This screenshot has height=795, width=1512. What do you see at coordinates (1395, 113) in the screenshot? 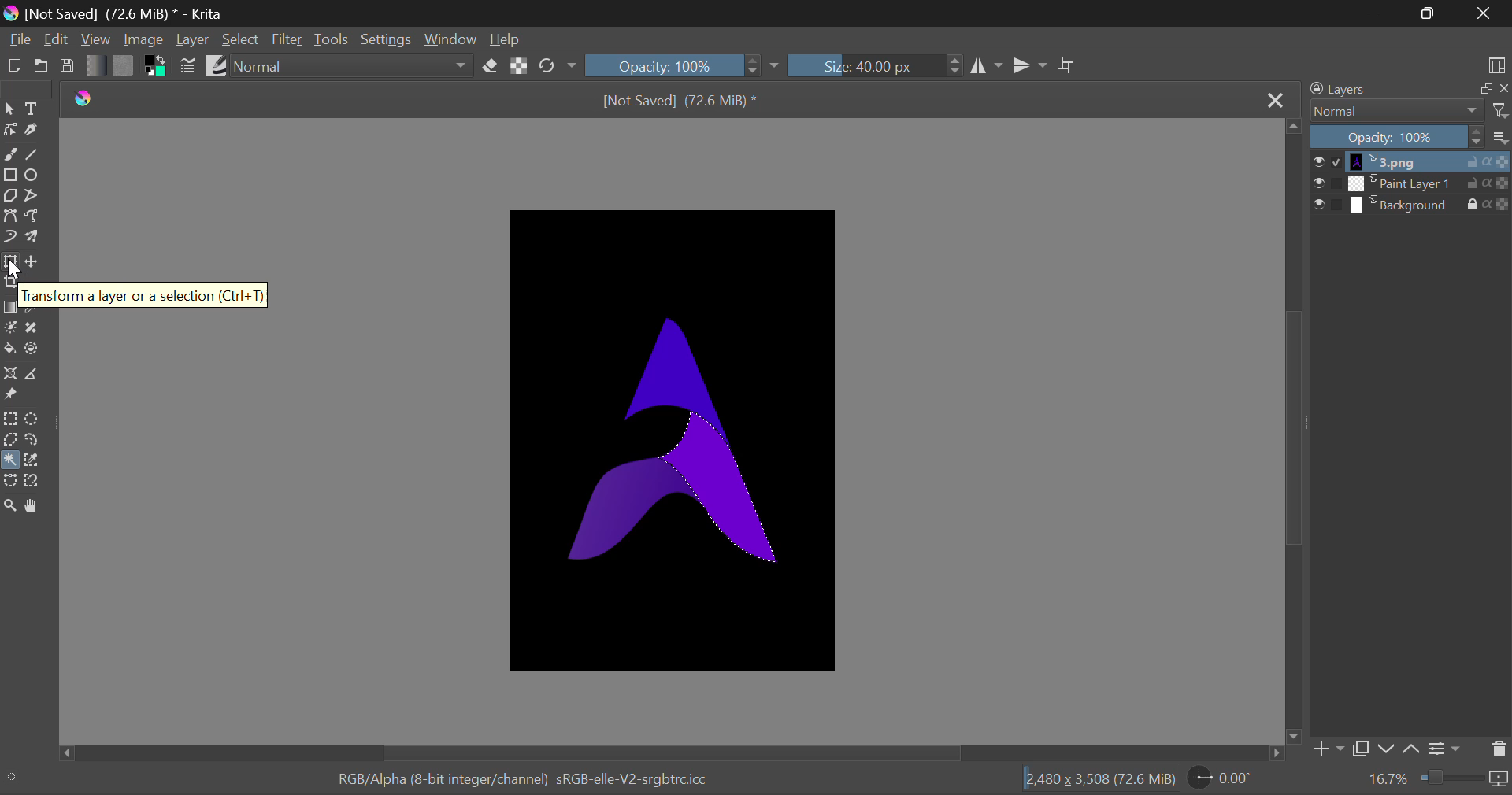
I see `Blending Modes` at bounding box center [1395, 113].